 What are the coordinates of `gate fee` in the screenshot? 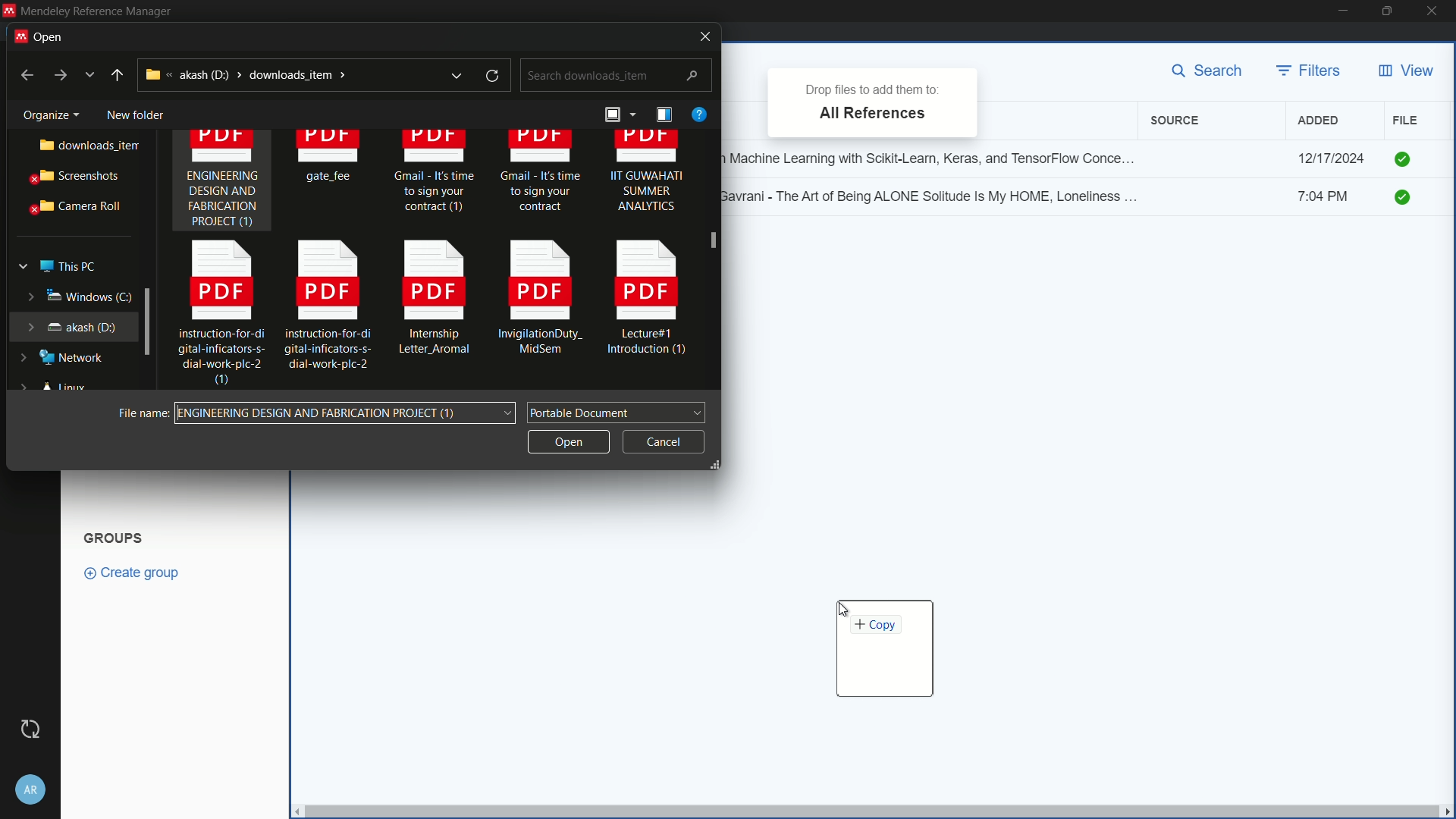 It's located at (331, 159).